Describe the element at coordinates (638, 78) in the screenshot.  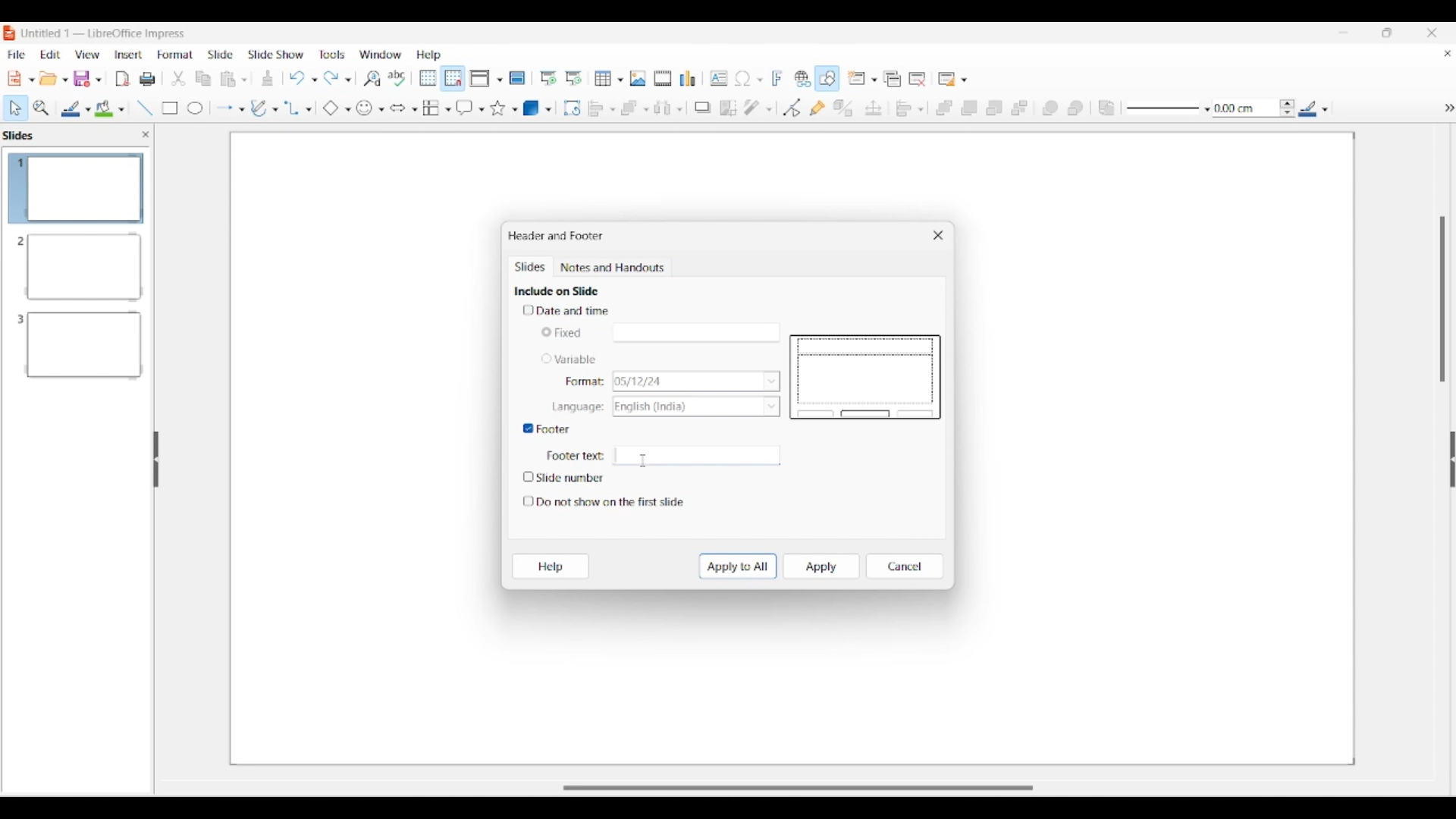
I see `Insert image` at that location.